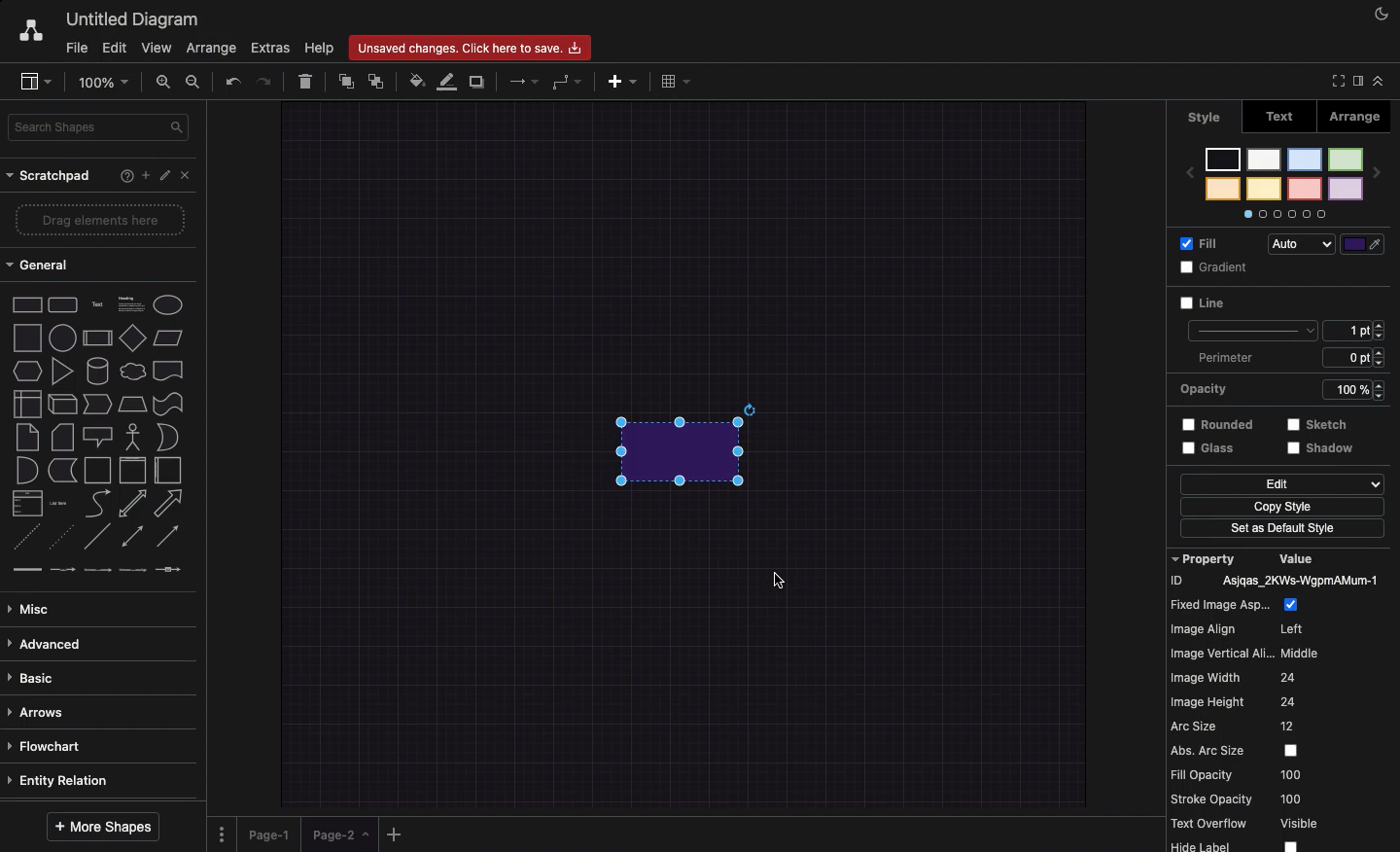 This screenshot has width=1400, height=852. I want to click on Sidebar, so click(1356, 80).